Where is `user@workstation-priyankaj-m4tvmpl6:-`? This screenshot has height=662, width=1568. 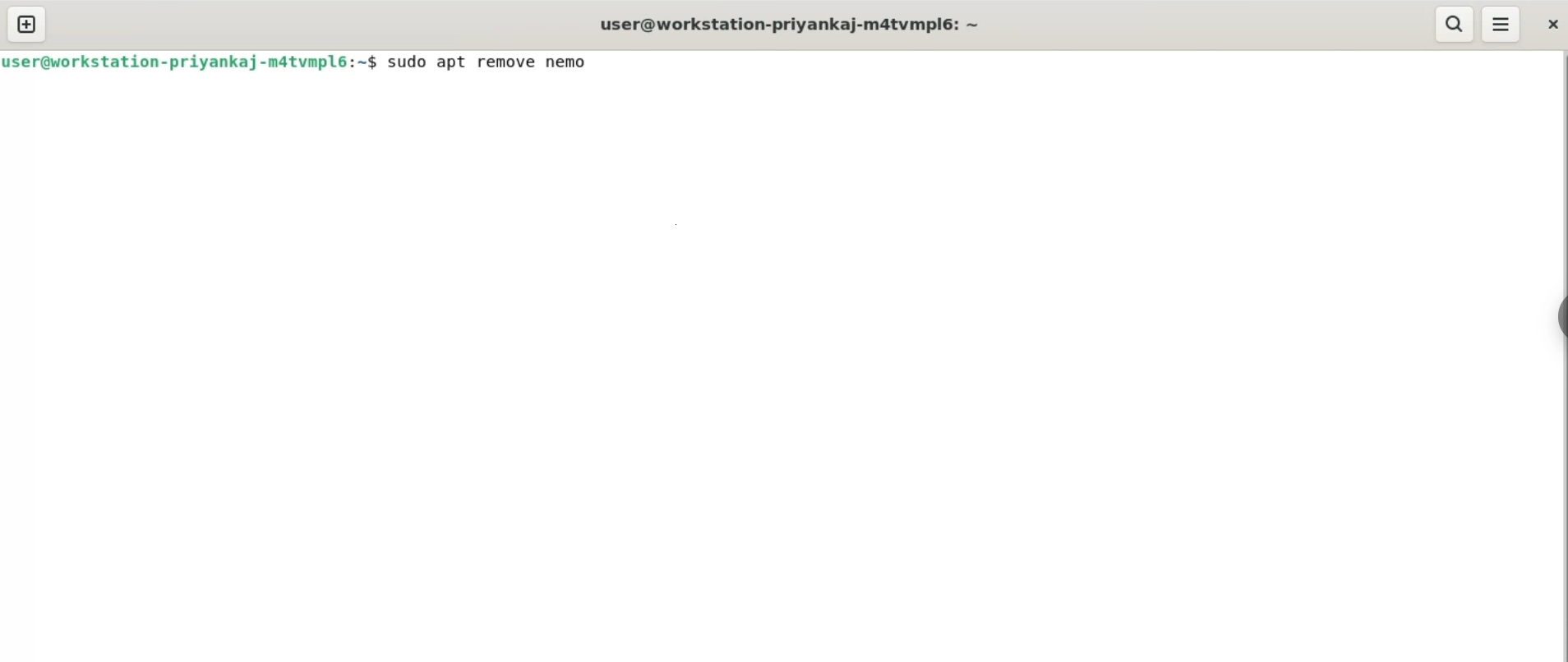
user@workstation-priyankaj-m4tvmpl6:- is located at coordinates (791, 23).